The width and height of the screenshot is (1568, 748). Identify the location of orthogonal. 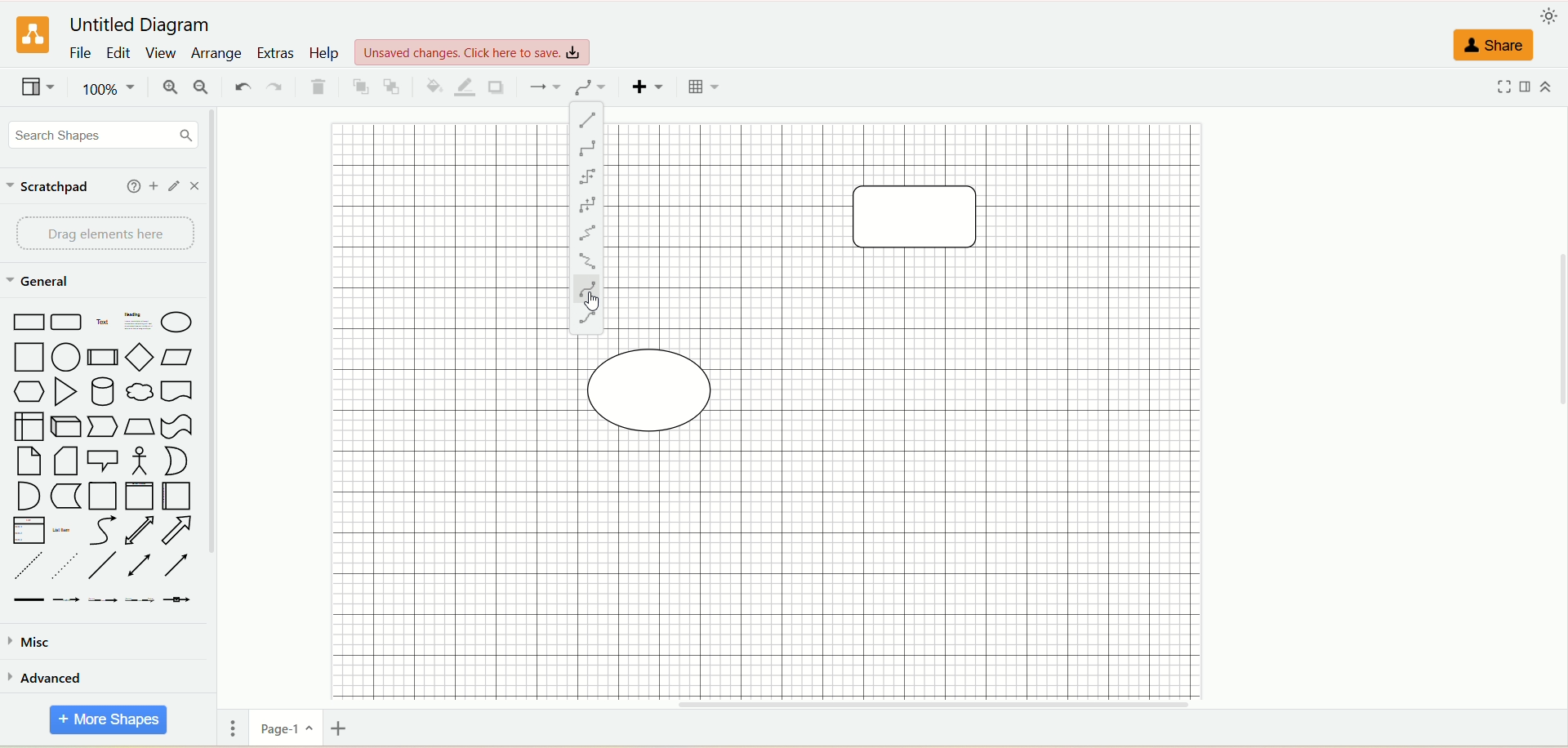
(589, 149).